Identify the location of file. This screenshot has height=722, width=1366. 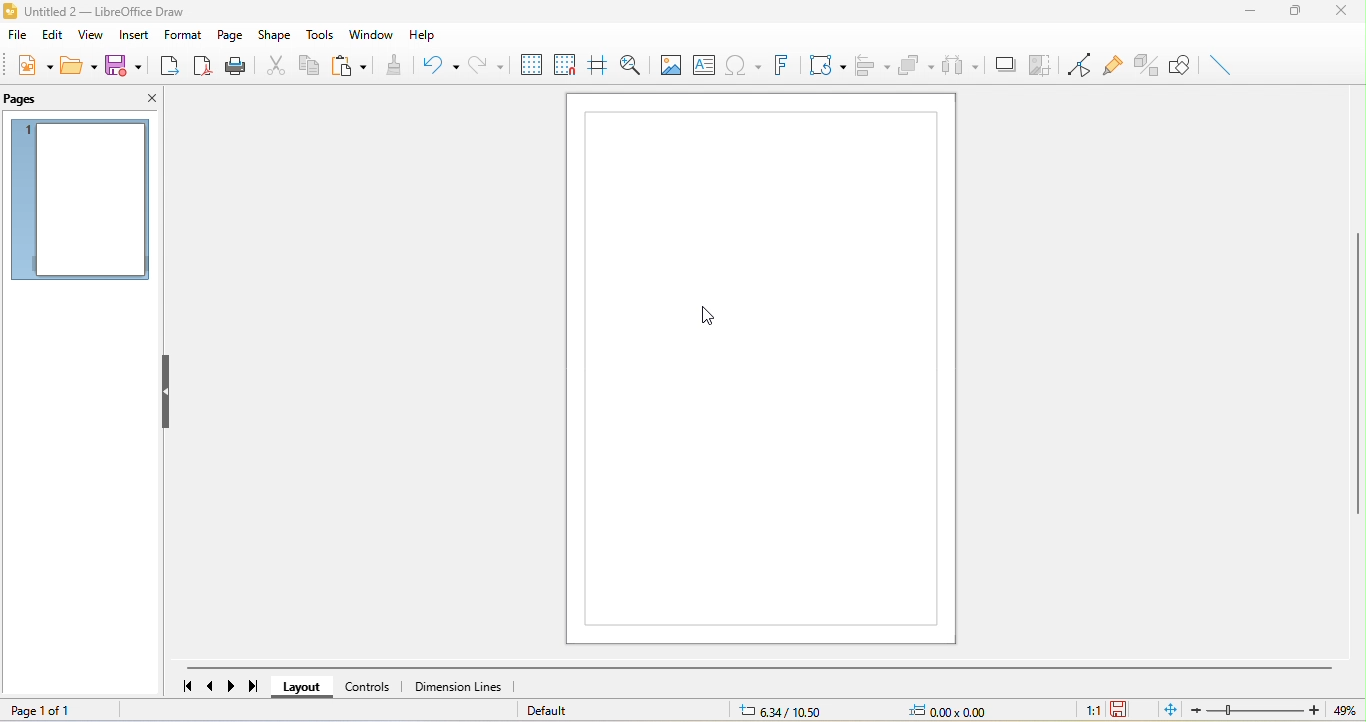
(15, 35).